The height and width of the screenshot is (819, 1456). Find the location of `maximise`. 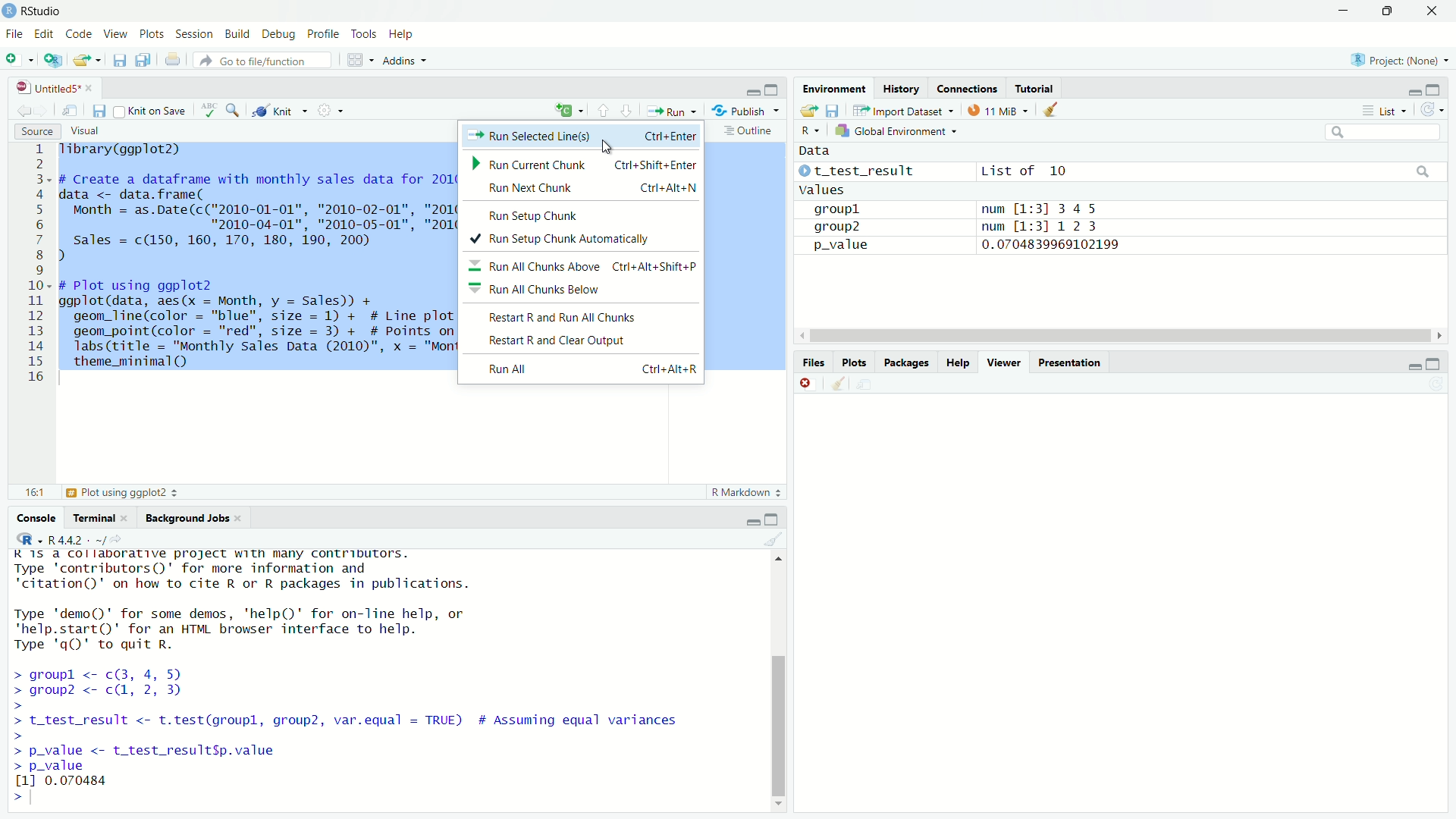

maximise is located at coordinates (1434, 89).